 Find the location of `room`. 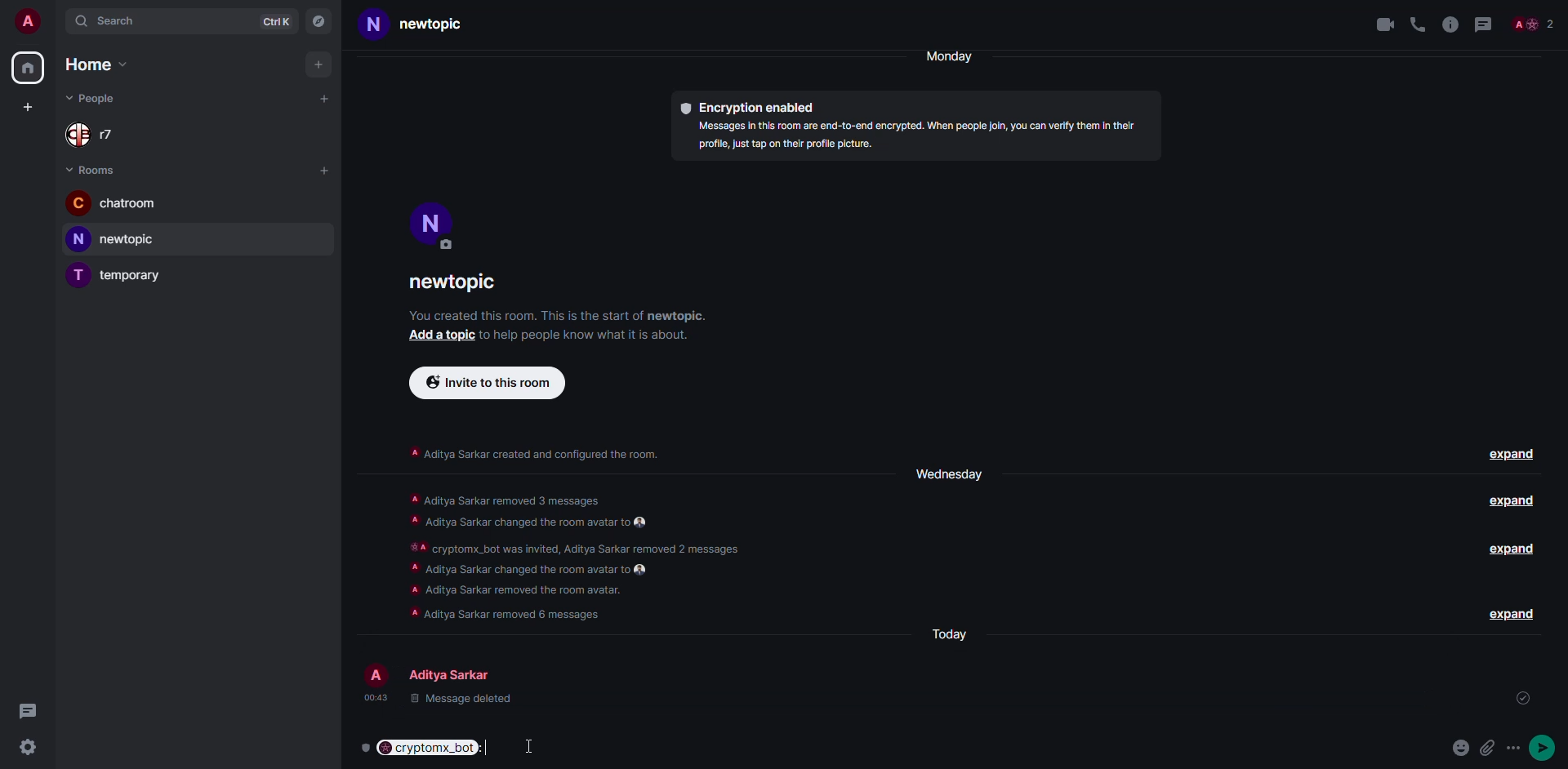

room is located at coordinates (426, 24).